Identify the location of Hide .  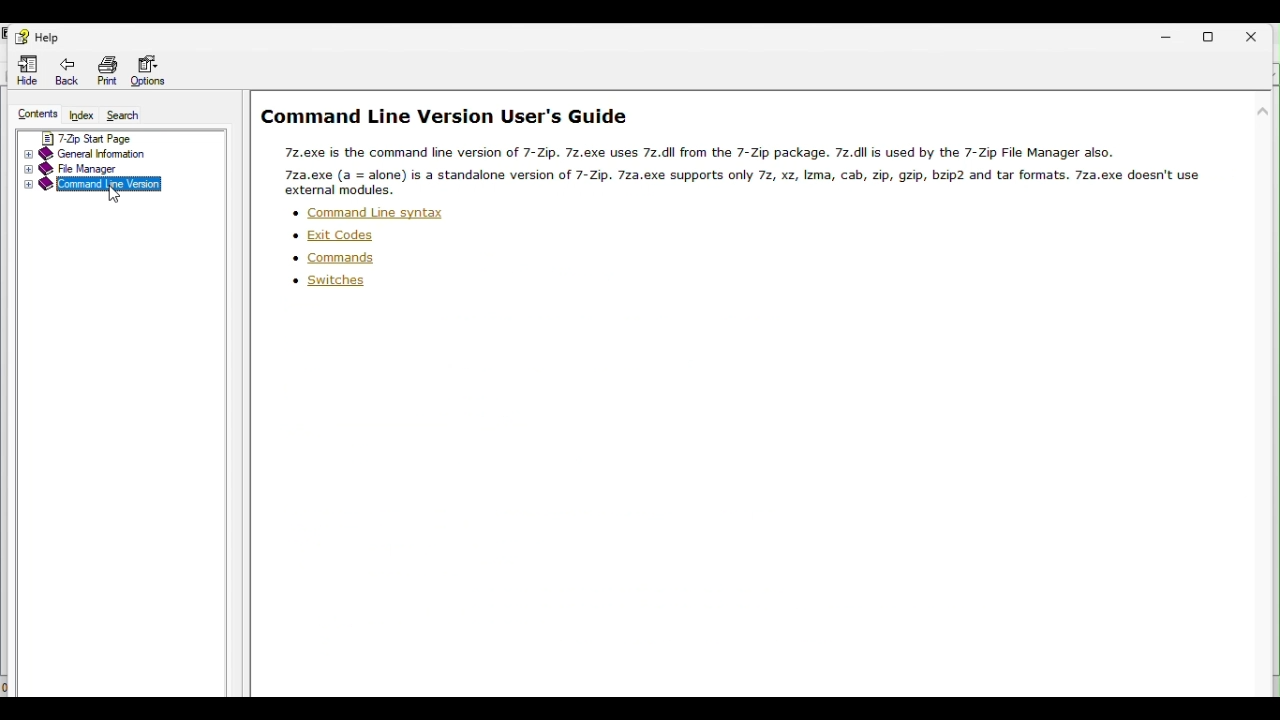
(23, 69).